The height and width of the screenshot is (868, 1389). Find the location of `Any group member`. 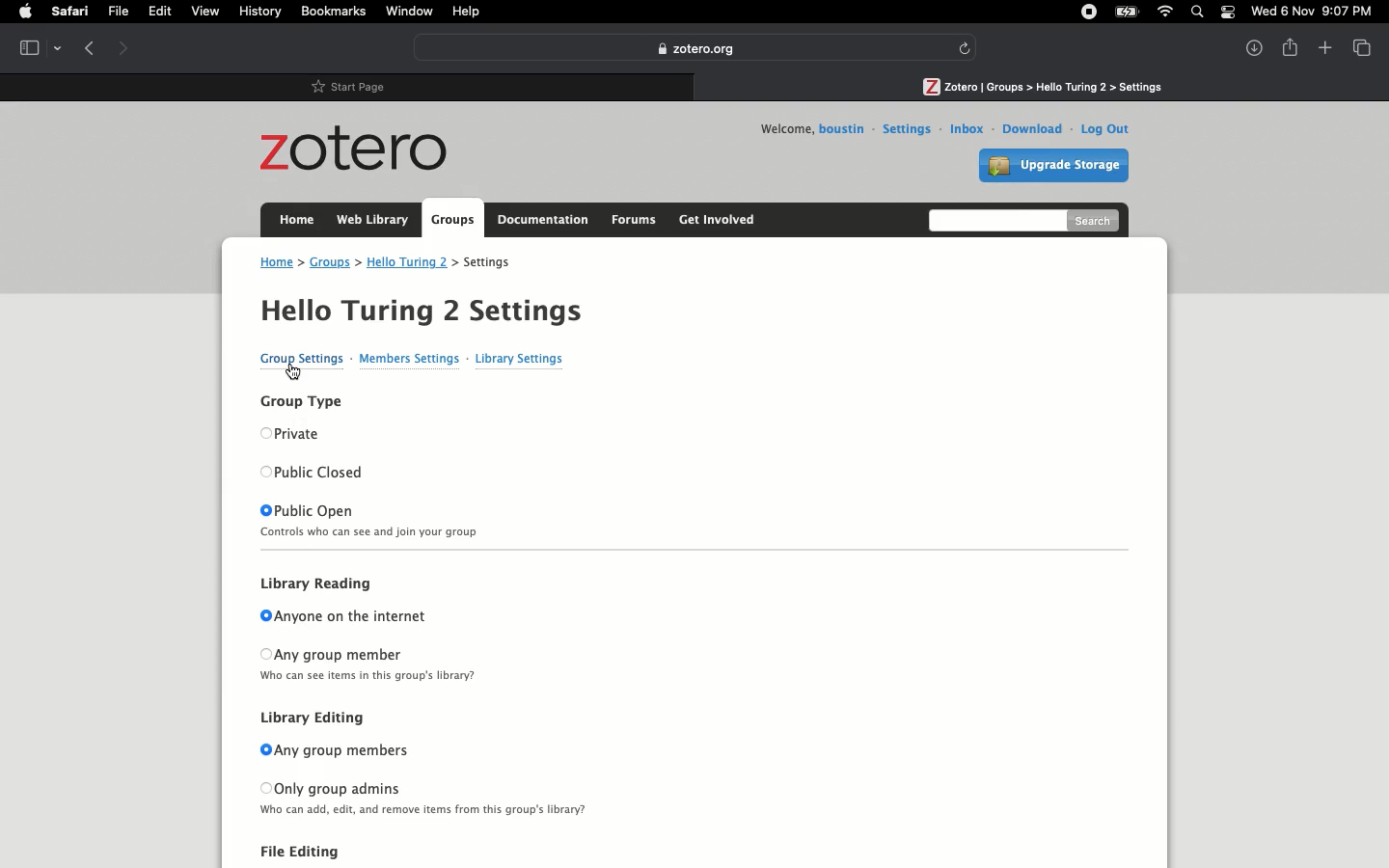

Any group member is located at coordinates (370, 666).